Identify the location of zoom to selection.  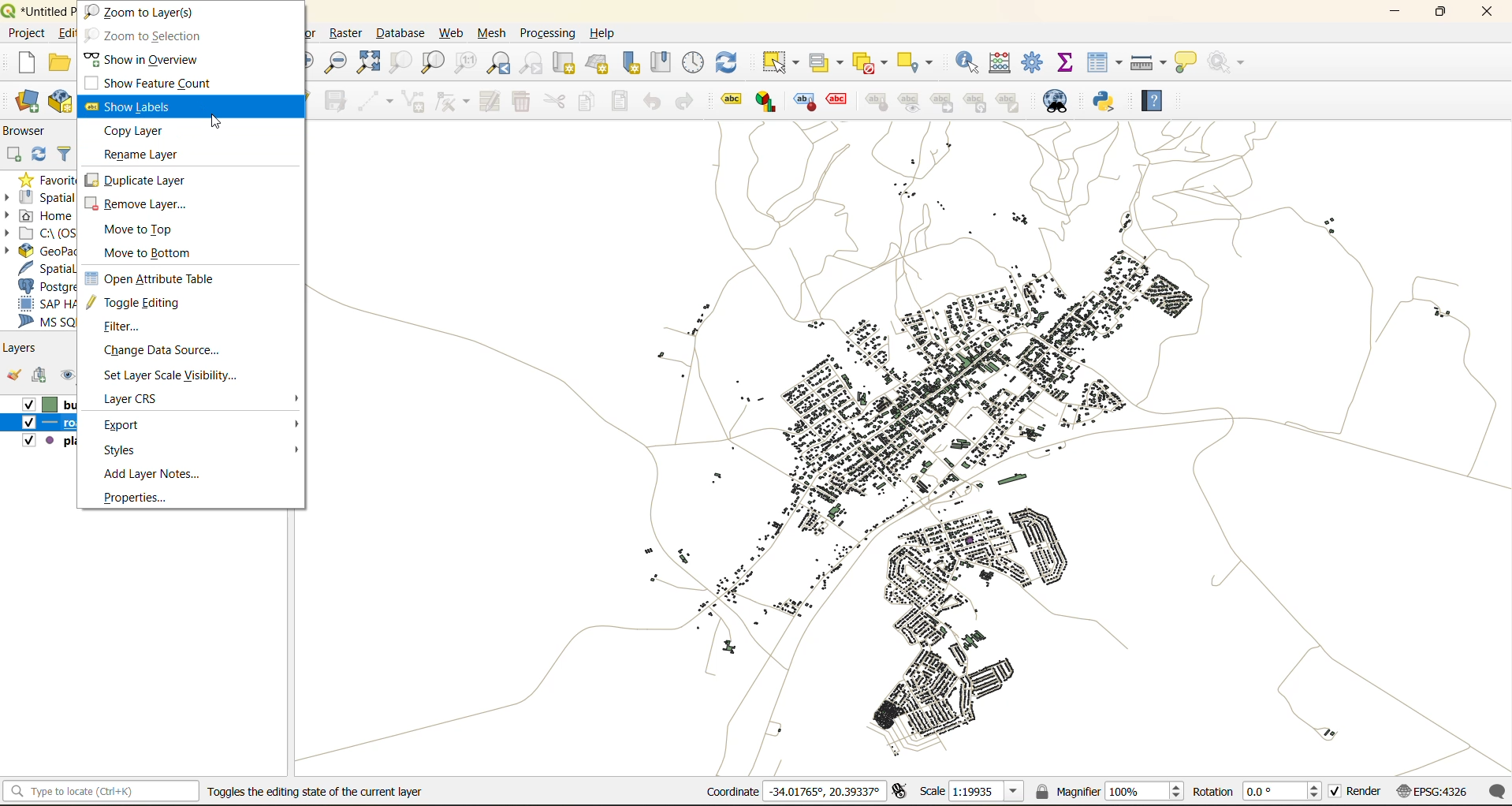
(147, 35).